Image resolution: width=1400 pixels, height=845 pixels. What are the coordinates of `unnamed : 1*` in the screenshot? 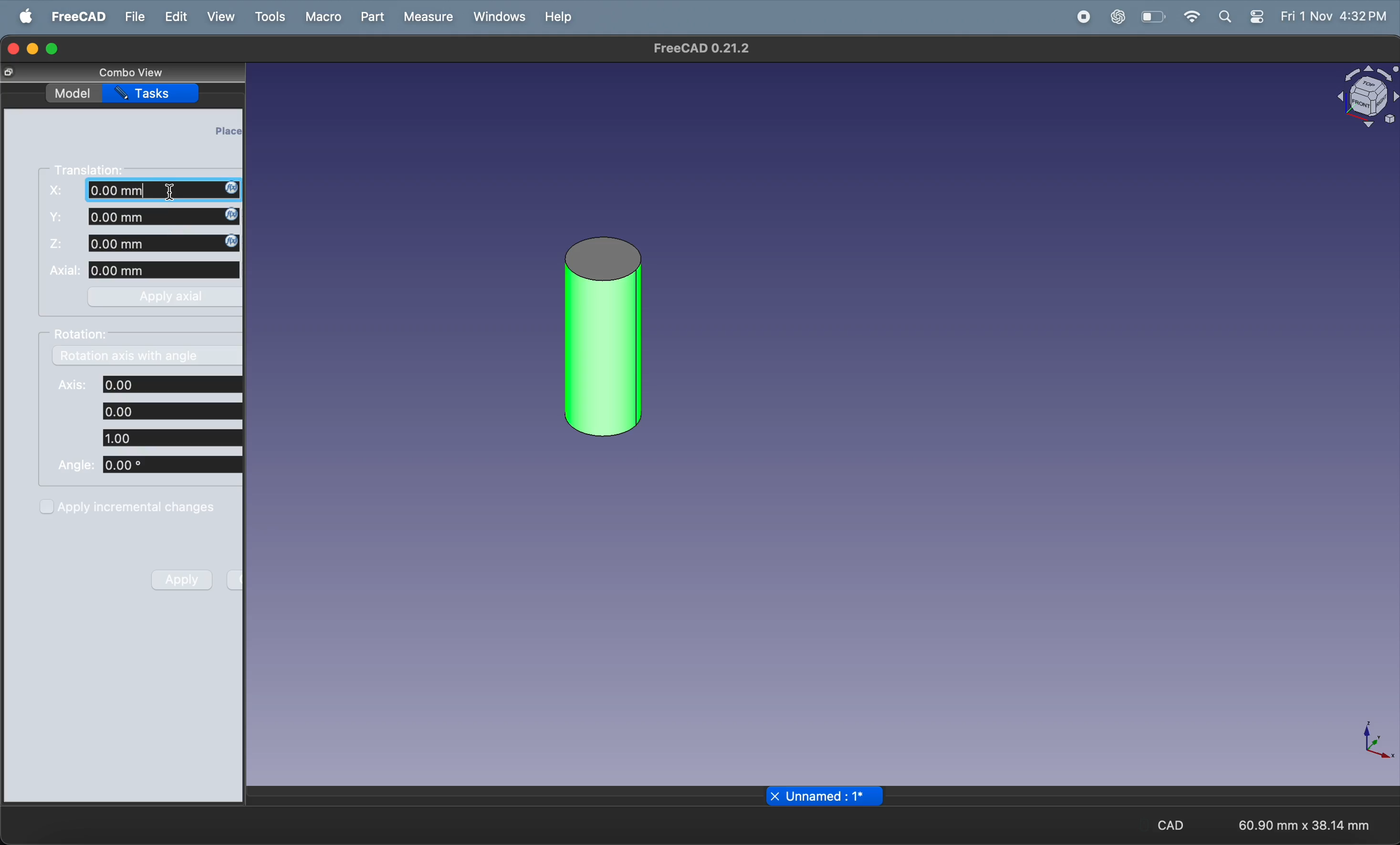 It's located at (834, 796).